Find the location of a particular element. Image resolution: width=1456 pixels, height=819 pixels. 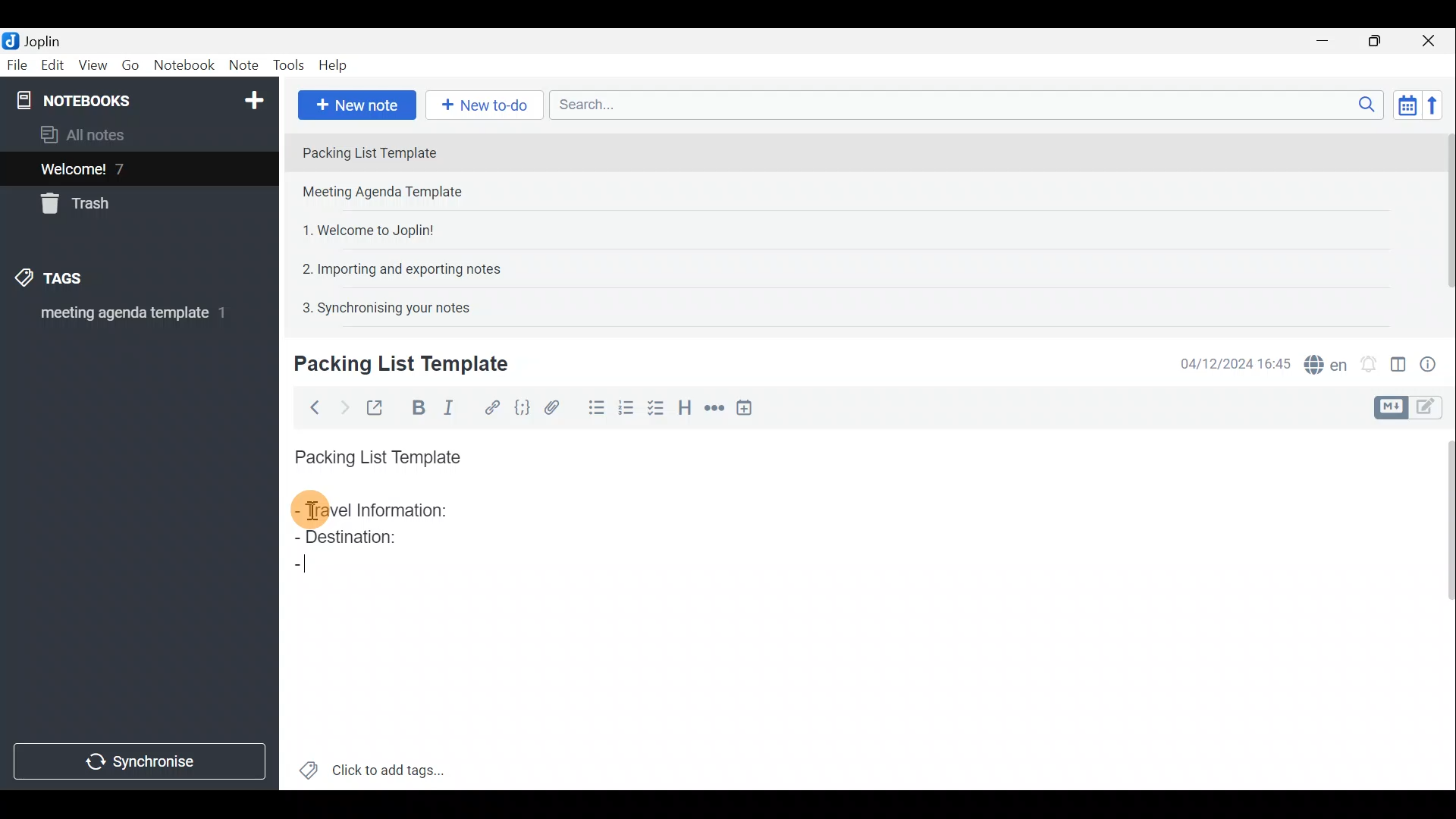

Creating new note is located at coordinates (392, 365).